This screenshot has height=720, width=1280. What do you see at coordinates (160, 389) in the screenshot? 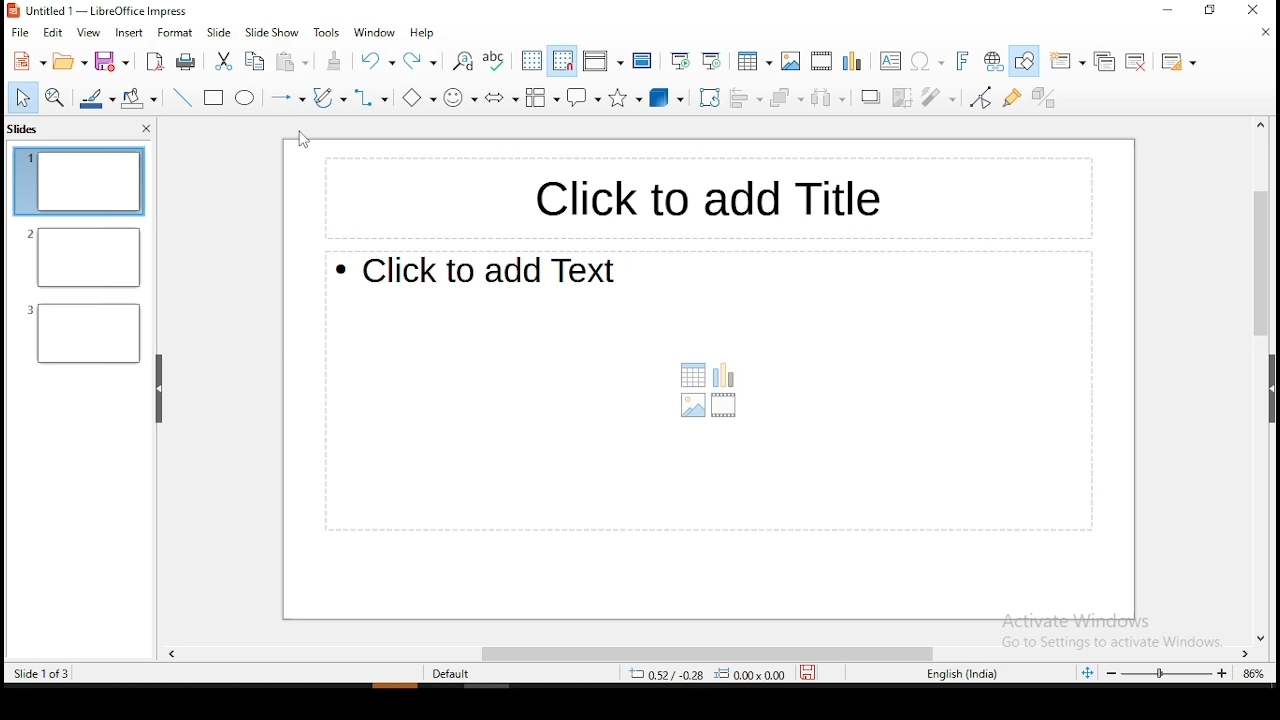
I see `drag handle` at bounding box center [160, 389].